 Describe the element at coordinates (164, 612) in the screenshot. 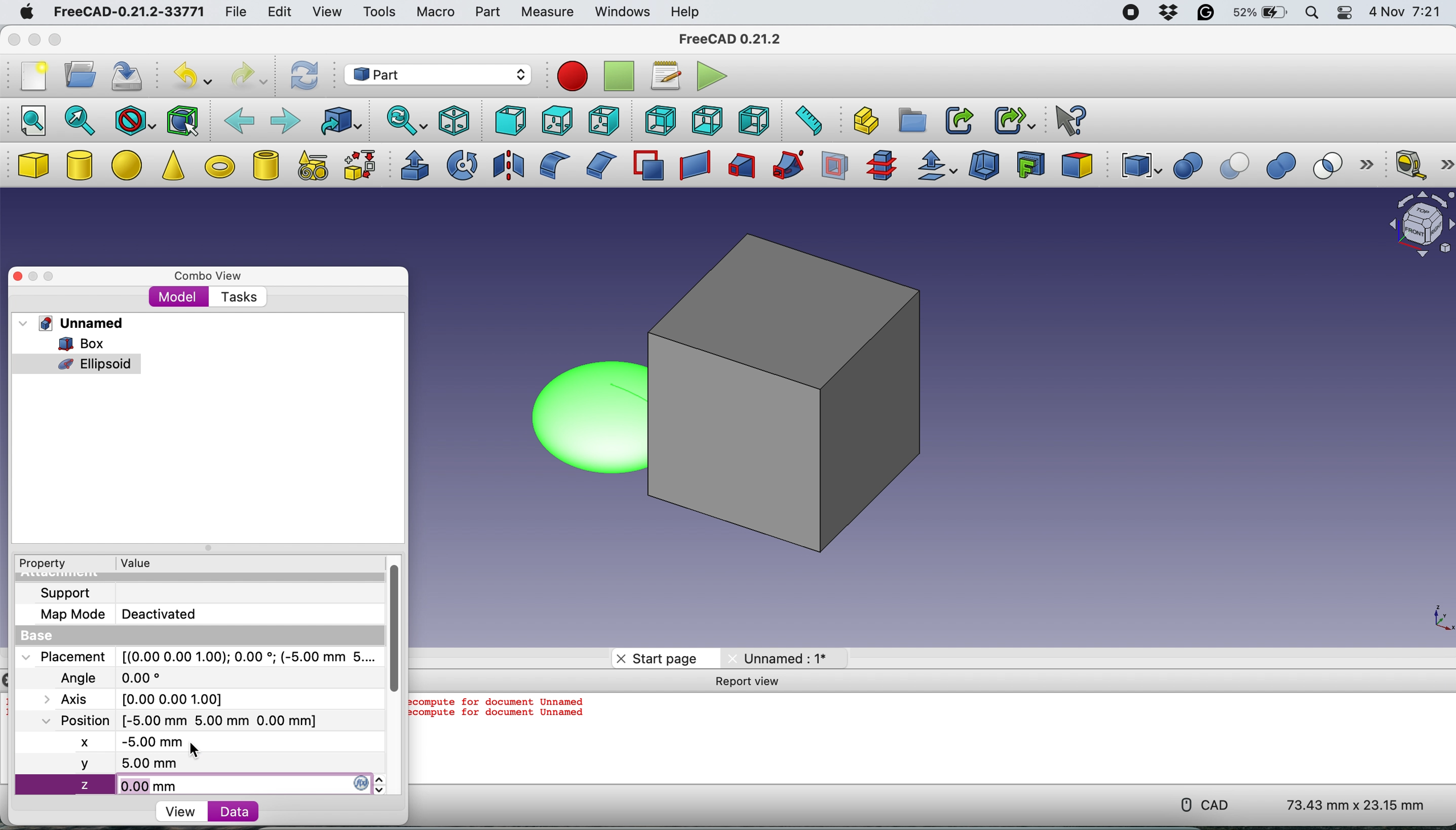

I see `Deactivated` at that location.